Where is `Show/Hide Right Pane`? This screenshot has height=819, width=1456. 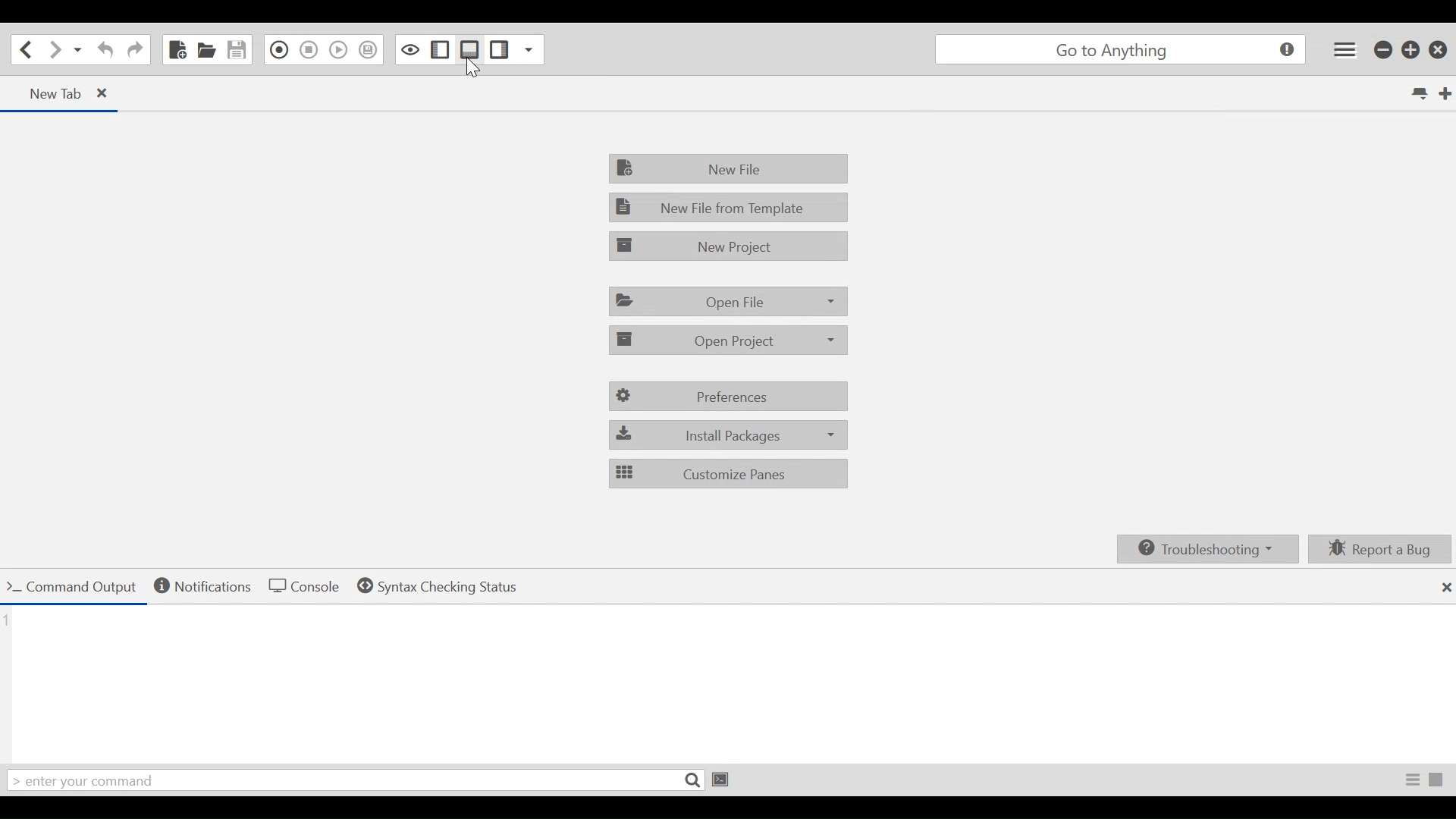
Show/Hide Right Pane is located at coordinates (498, 50).